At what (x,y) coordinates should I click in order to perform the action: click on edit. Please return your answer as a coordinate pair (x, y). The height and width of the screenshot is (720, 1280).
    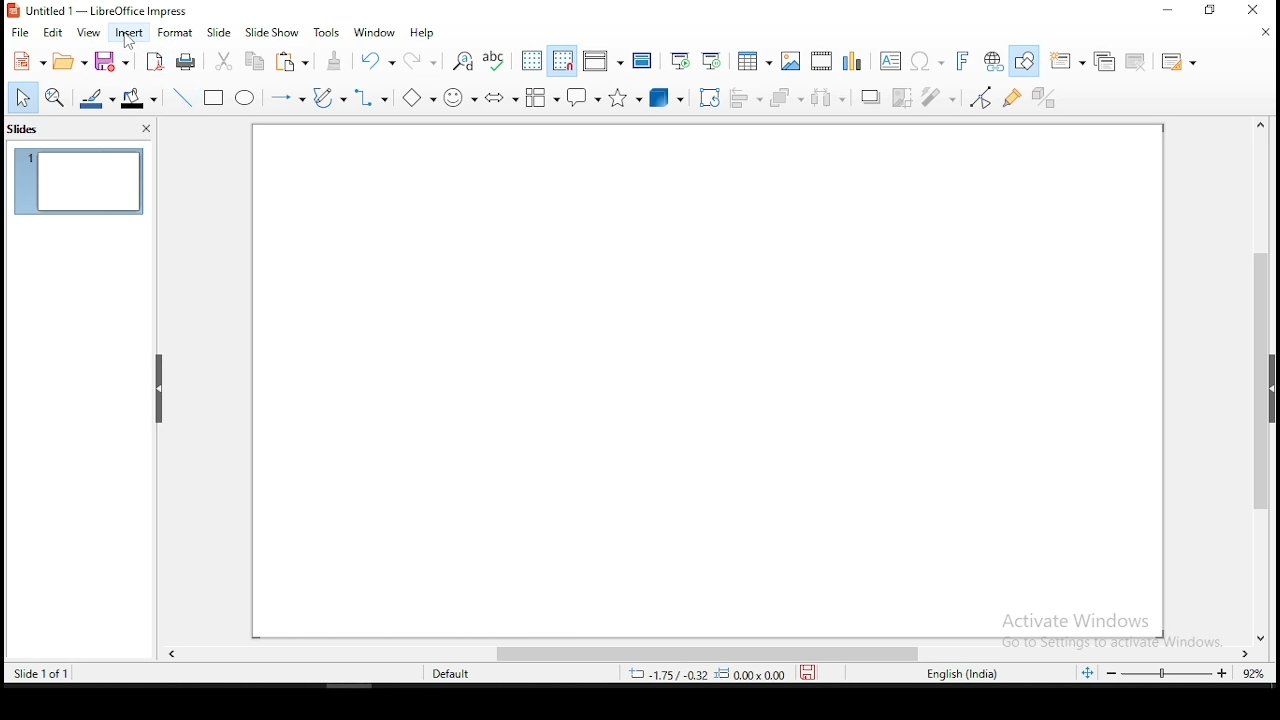
    Looking at the image, I should click on (55, 34).